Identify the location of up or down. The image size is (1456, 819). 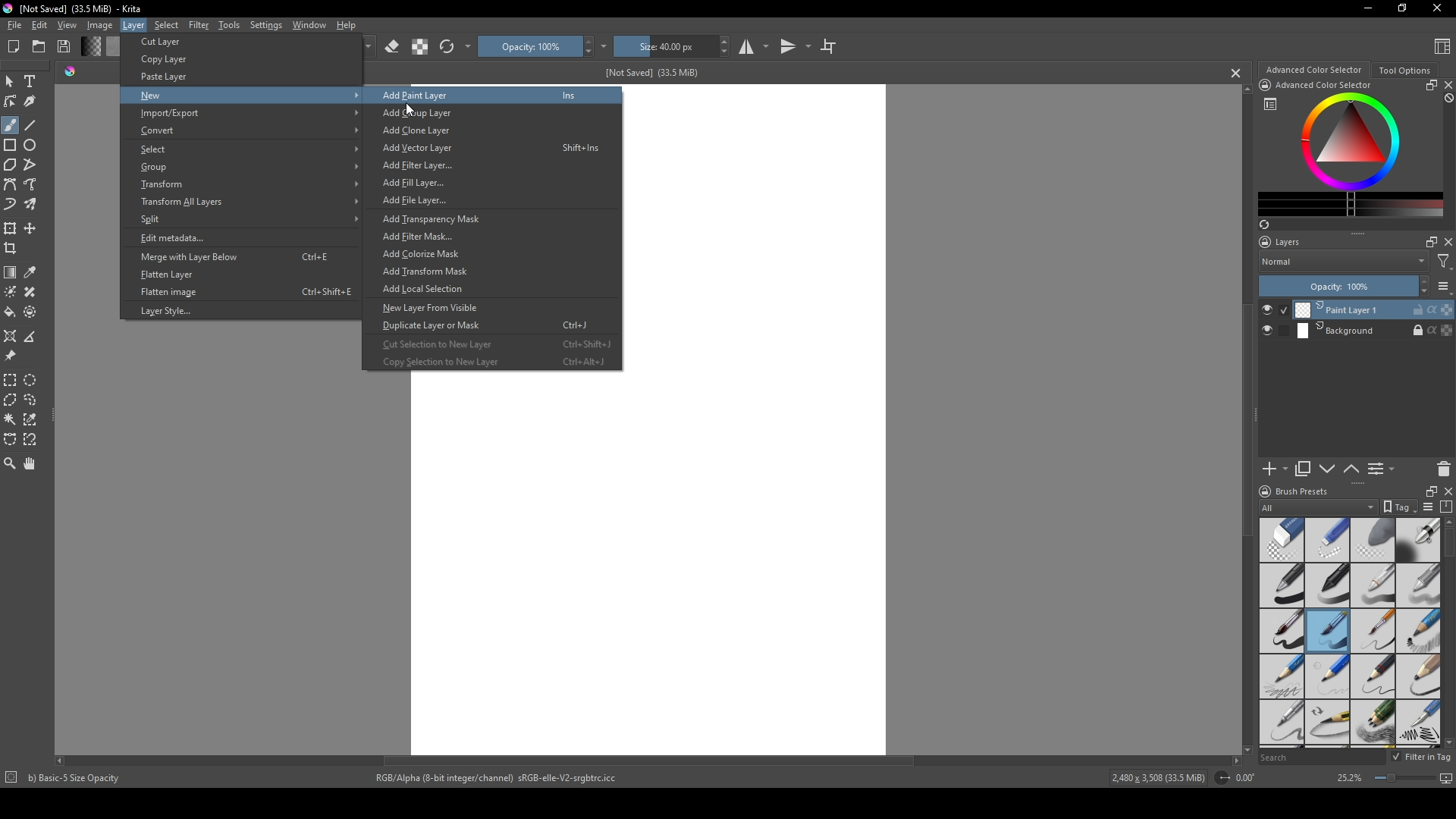
(1352, 469).